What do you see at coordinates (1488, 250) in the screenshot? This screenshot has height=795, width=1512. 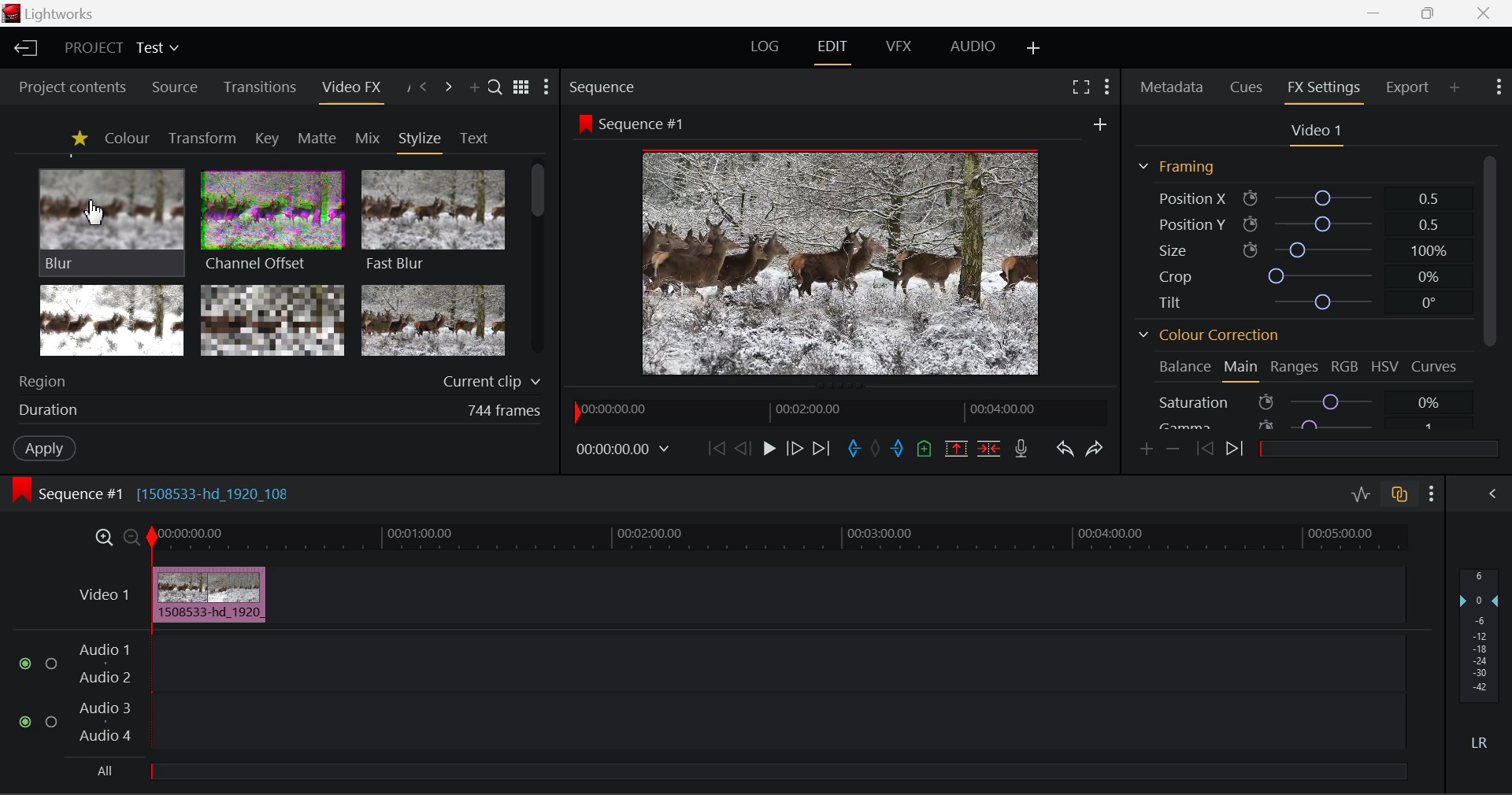 I see `Scroll Bar` at bounding box center [1488, 250].